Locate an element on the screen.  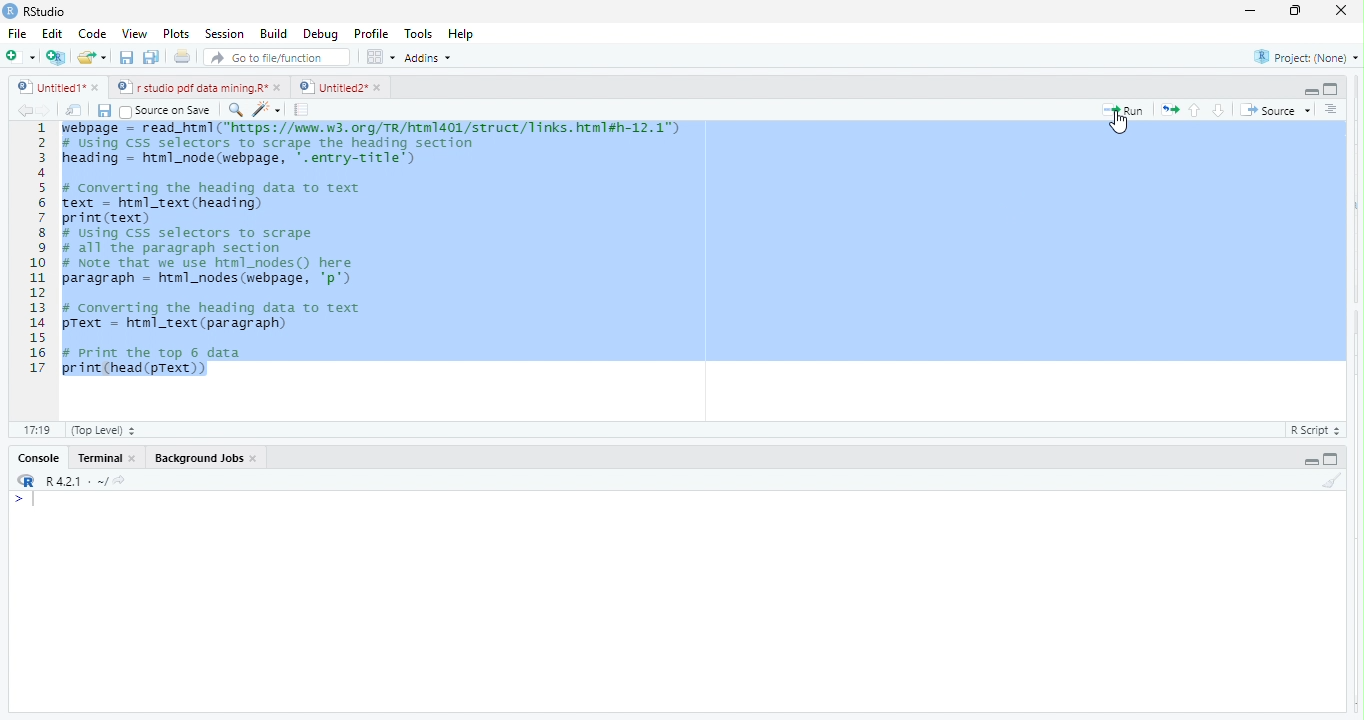
typing cursor is located at coordinates (29, 501).